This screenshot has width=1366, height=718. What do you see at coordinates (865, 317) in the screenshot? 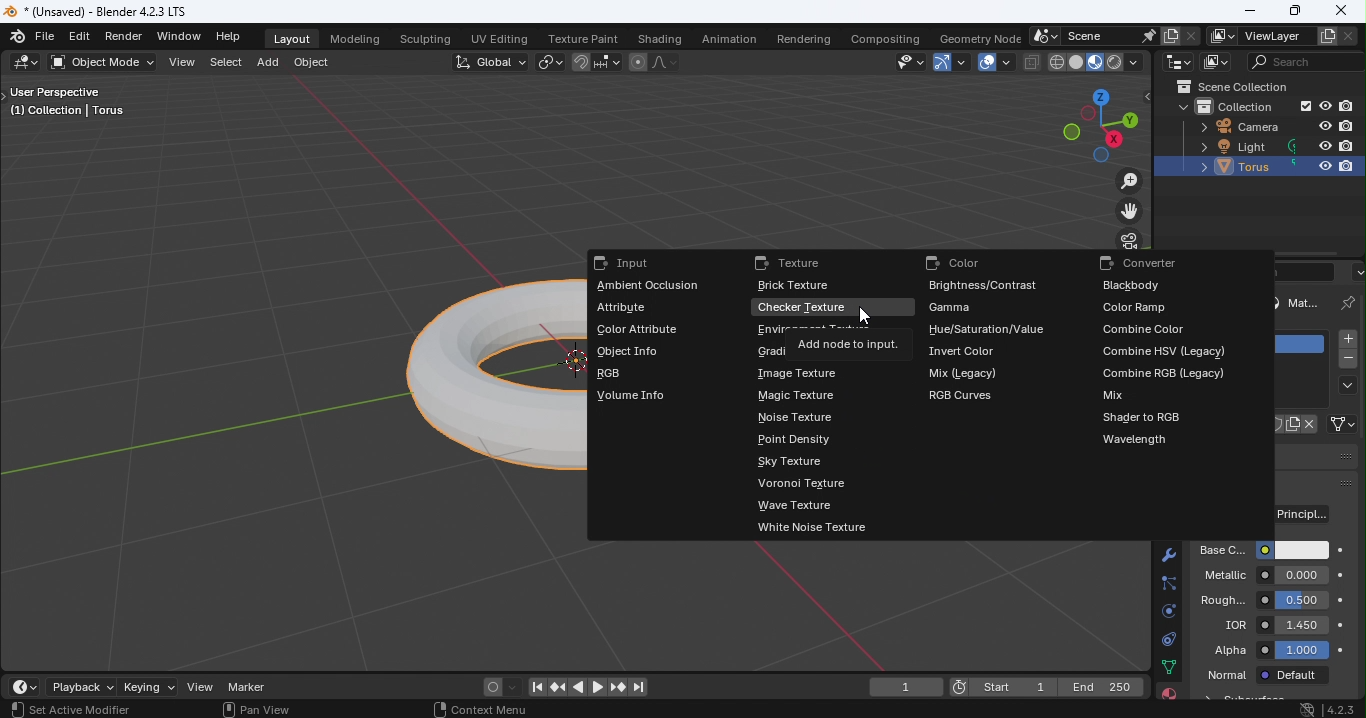
I see `Cursor` at bounding box center [865, 317].